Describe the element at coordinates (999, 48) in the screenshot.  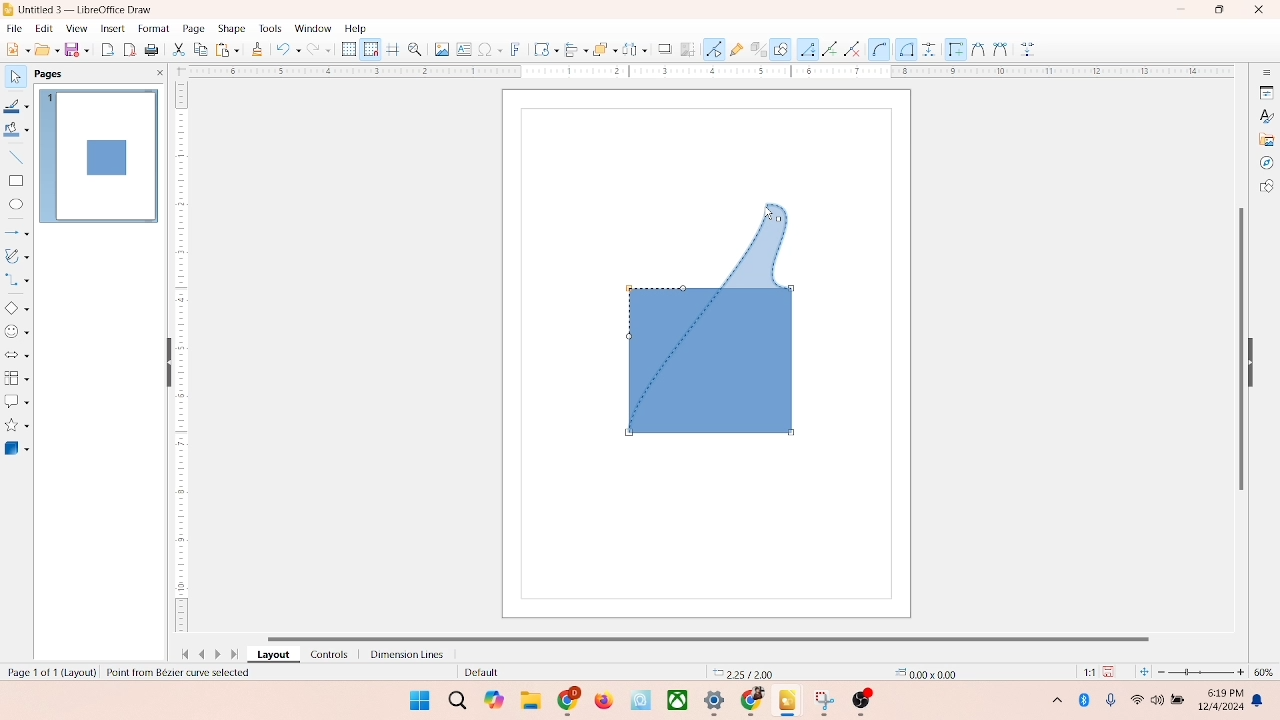
I see `Combine tool` at that location.